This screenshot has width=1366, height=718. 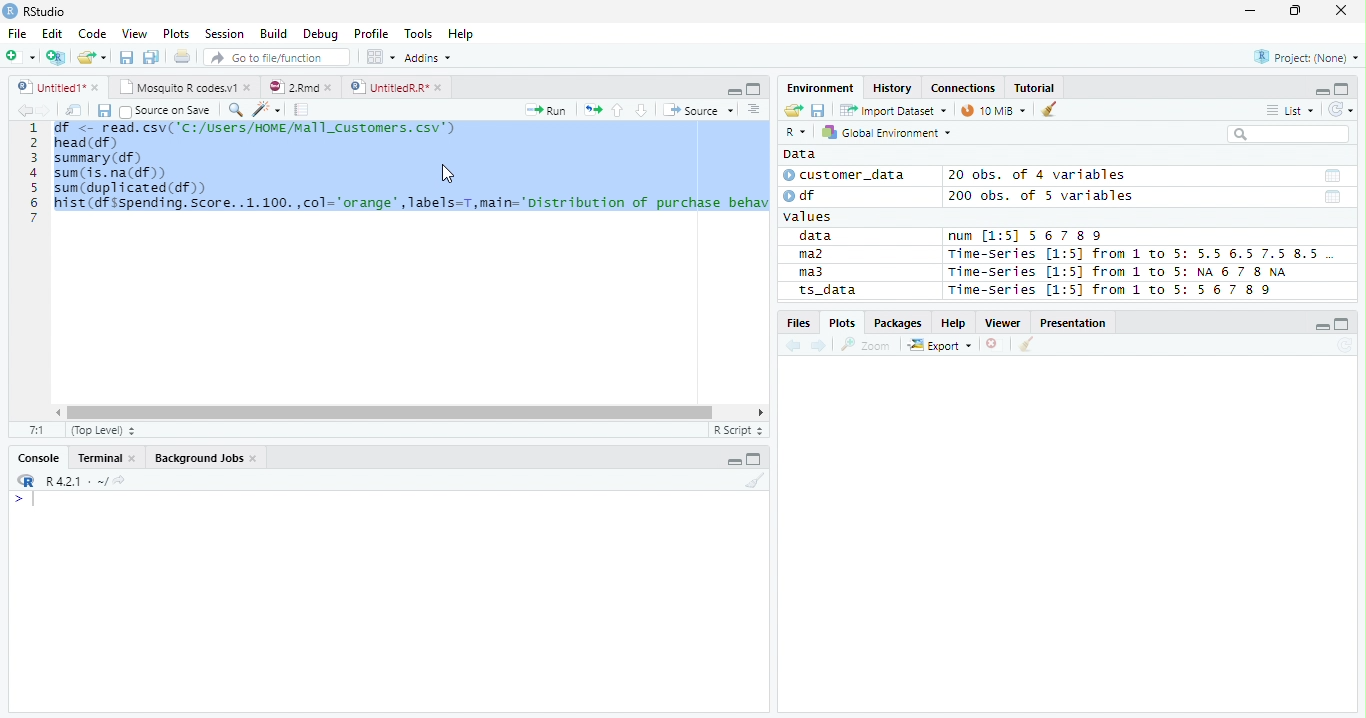 I want to click on Open folder, so click(x=791, y=111).